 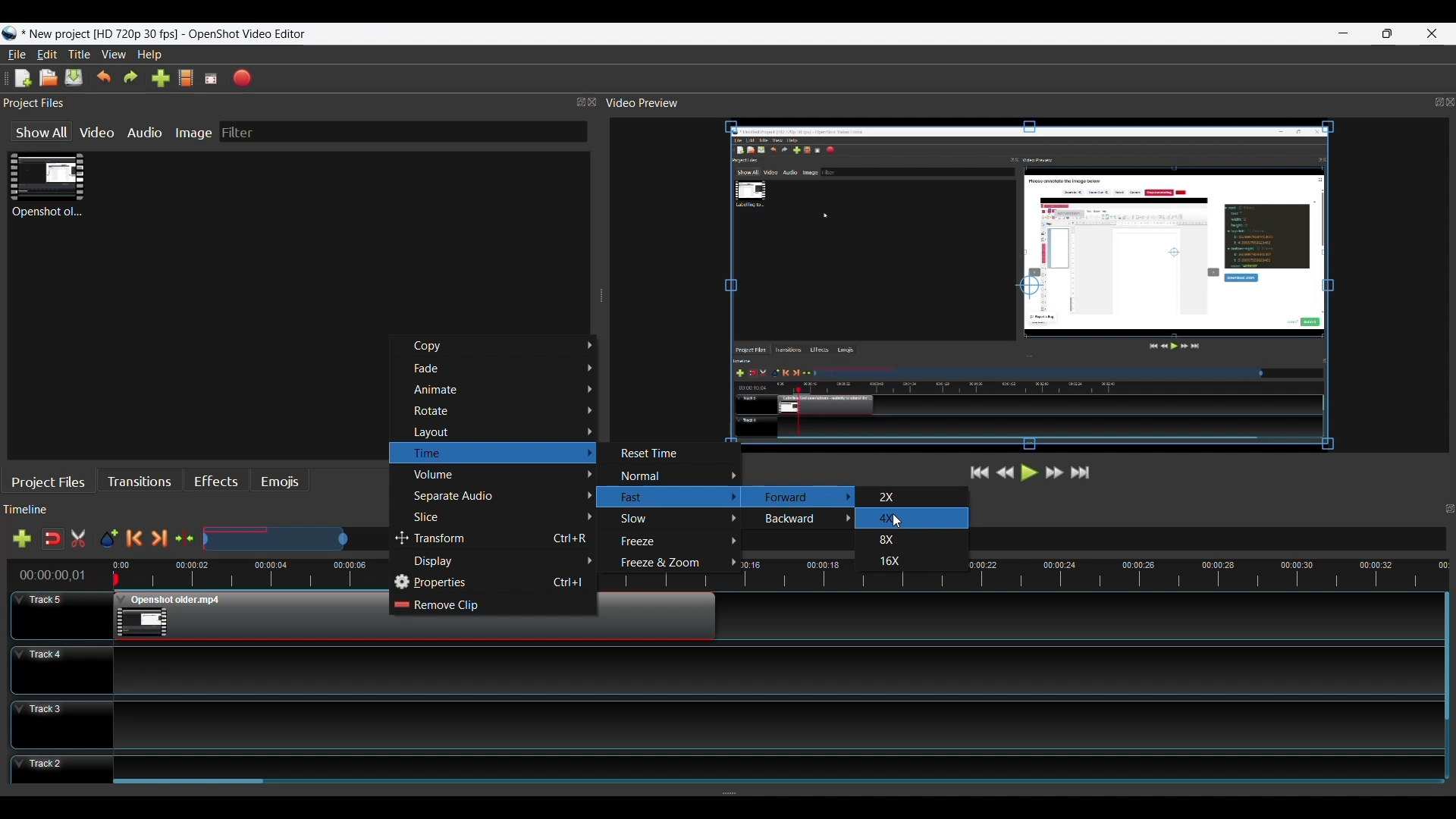 I want to click on Next Marker, so click(x=158, y=539).